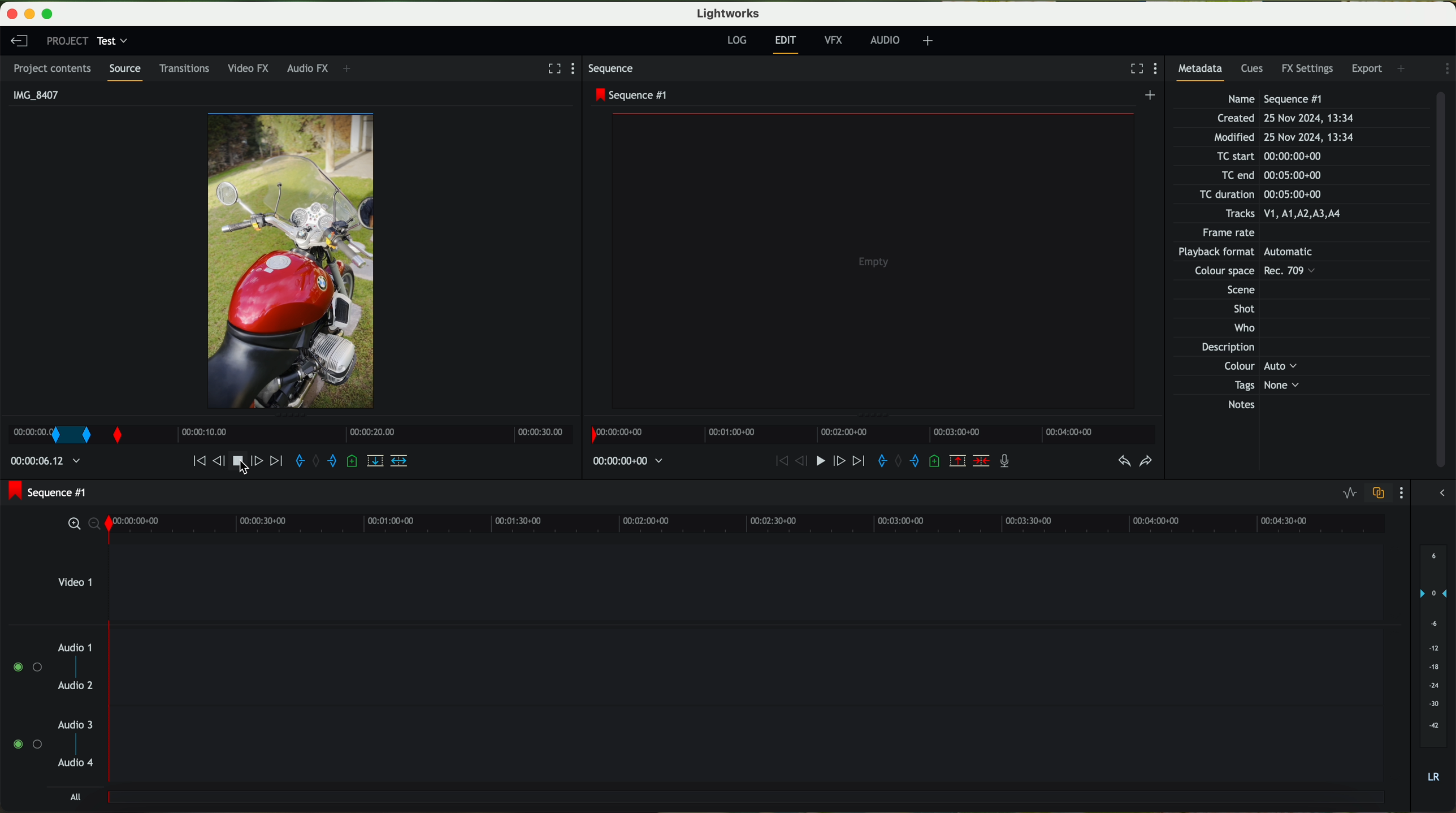 This screenshot has width=1456, height=813. Describe the element at coordinates (69, 525) in the screenshot. I see `zoom in` at that location.